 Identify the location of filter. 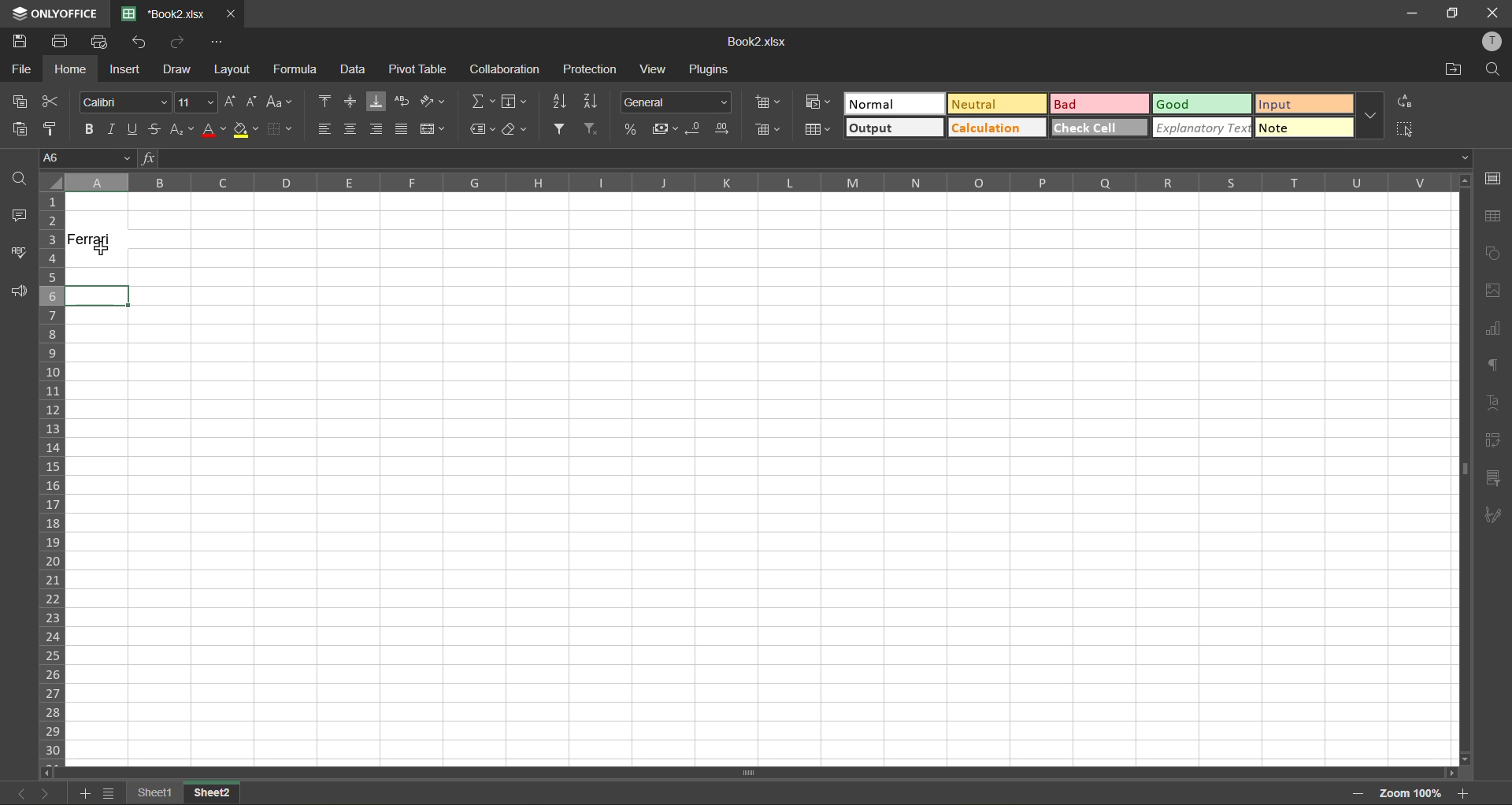
(560, 128).